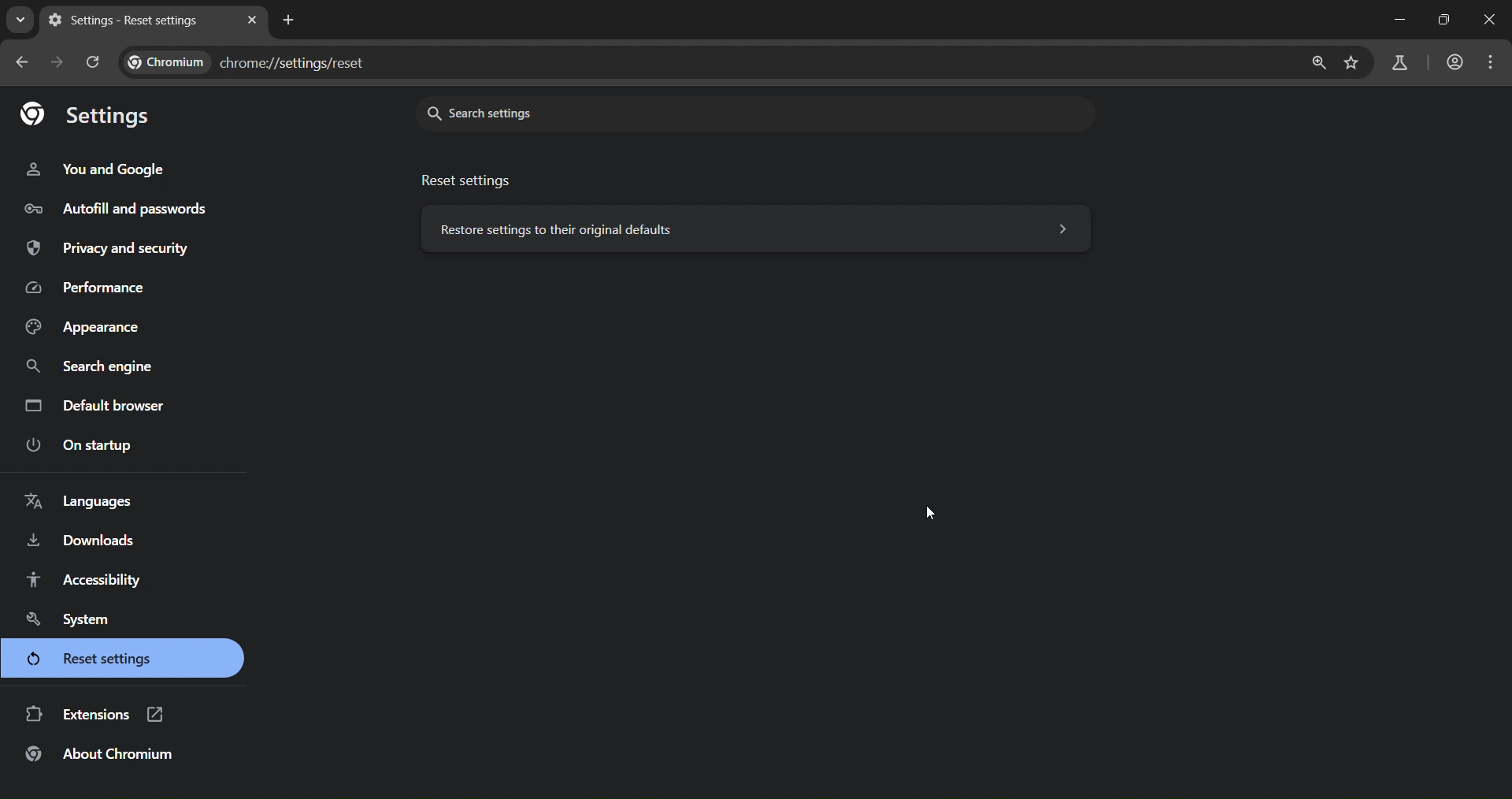 This screenshot has width=1512, height=799. What do you see at coordinates (94, 368) in the screenshot?
I see `search engine` at bounding box center [94, 368].